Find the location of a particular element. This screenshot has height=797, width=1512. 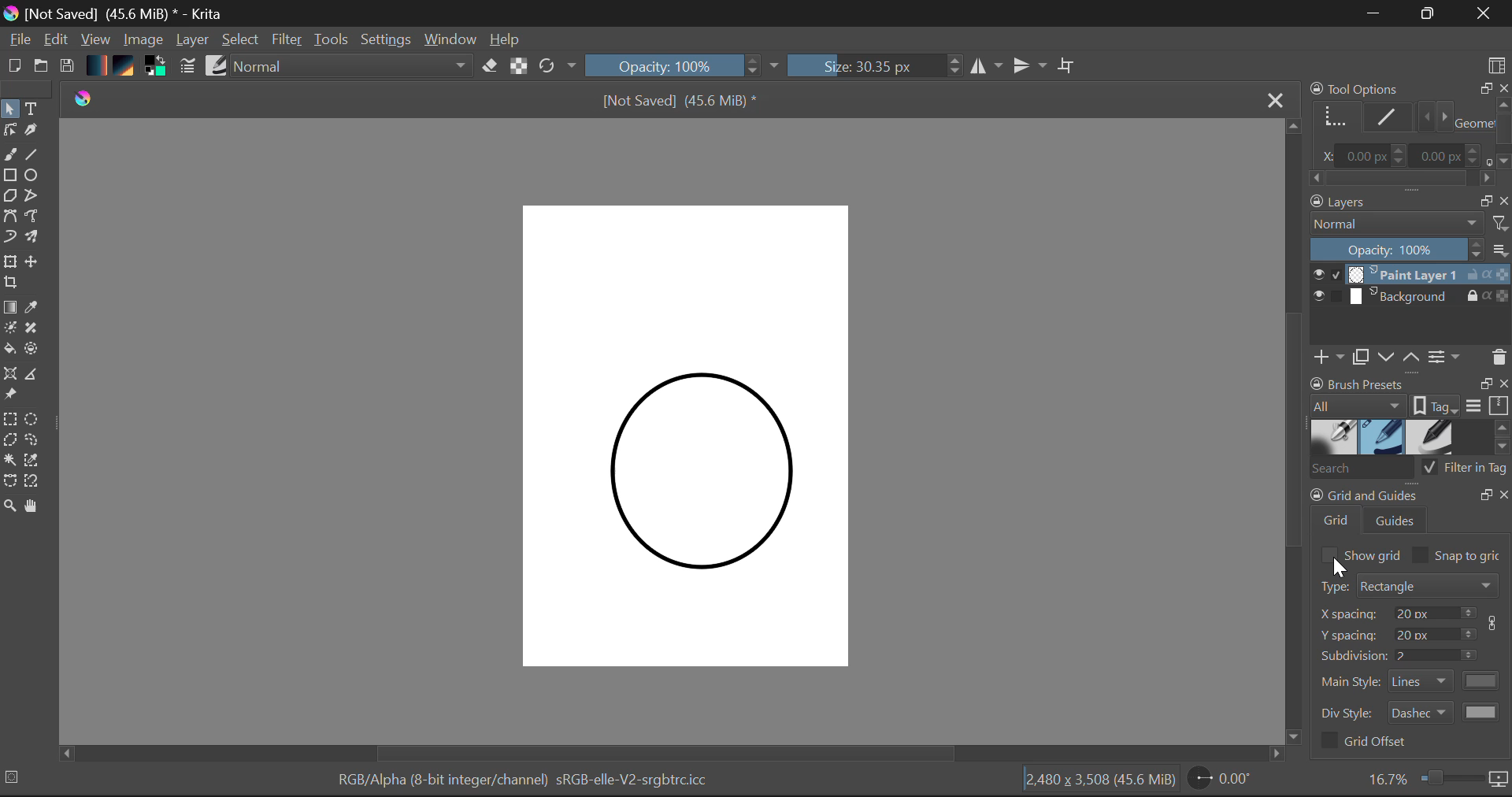

Calligraphic Tool is located at coordinates (36, 132).